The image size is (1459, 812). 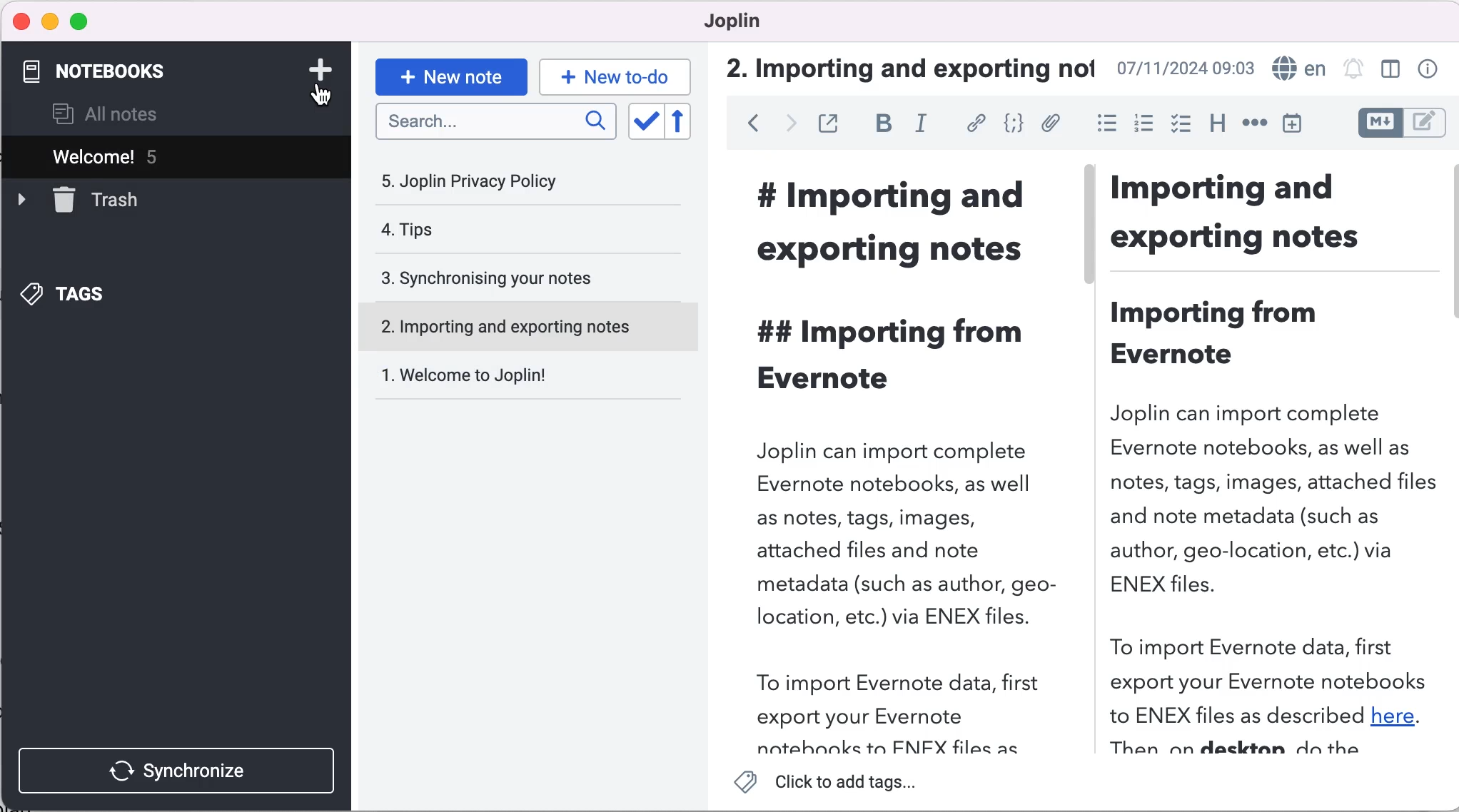 What do you see at coordinates (754, 21) in the screenshot?
I see `joplin` at bounding box center [754, 21].